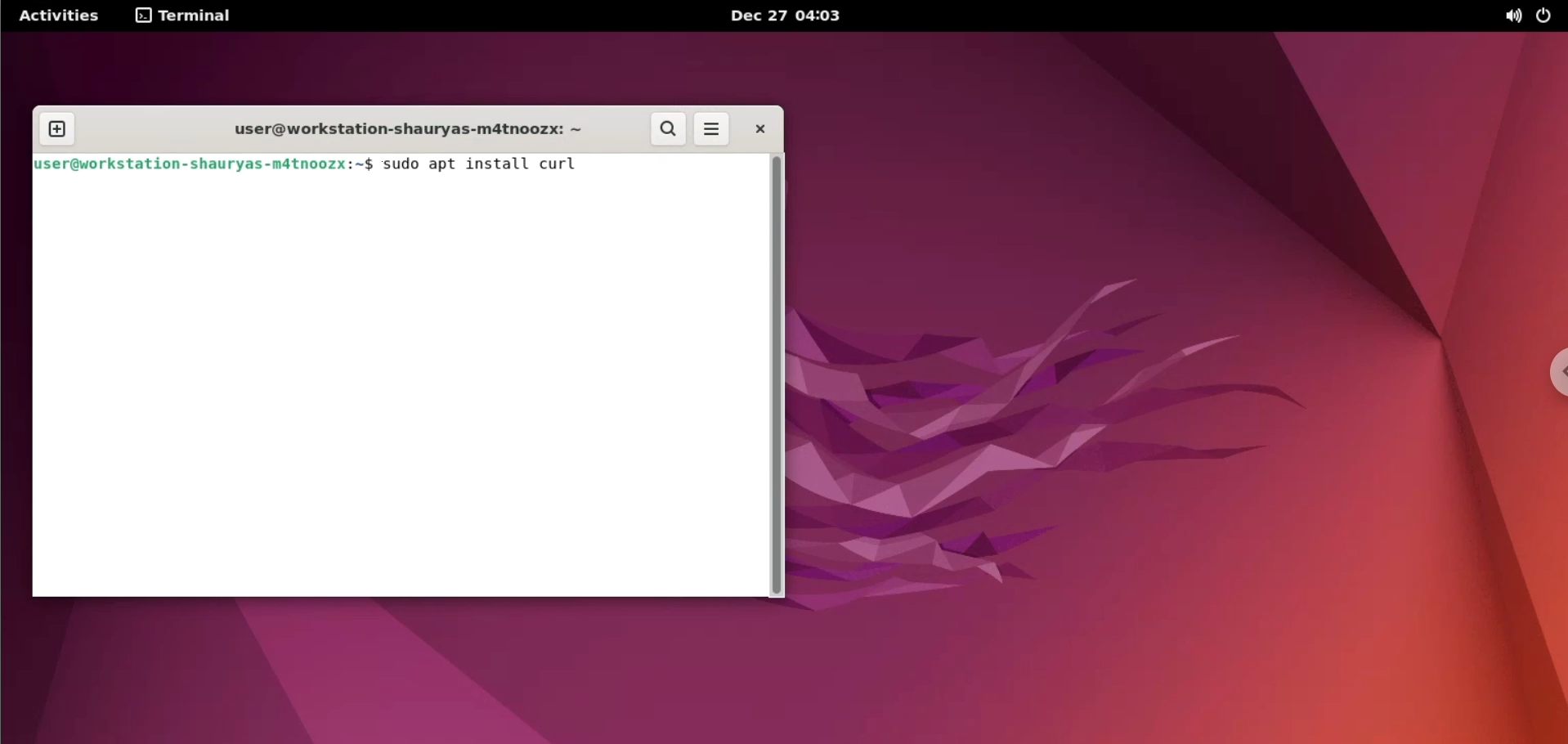 Image resolution: width=1568 pixels, height=744 pixels. Describe the element at coordinates (777, 378) in the screenshot. I see `scrollbar` at that location.